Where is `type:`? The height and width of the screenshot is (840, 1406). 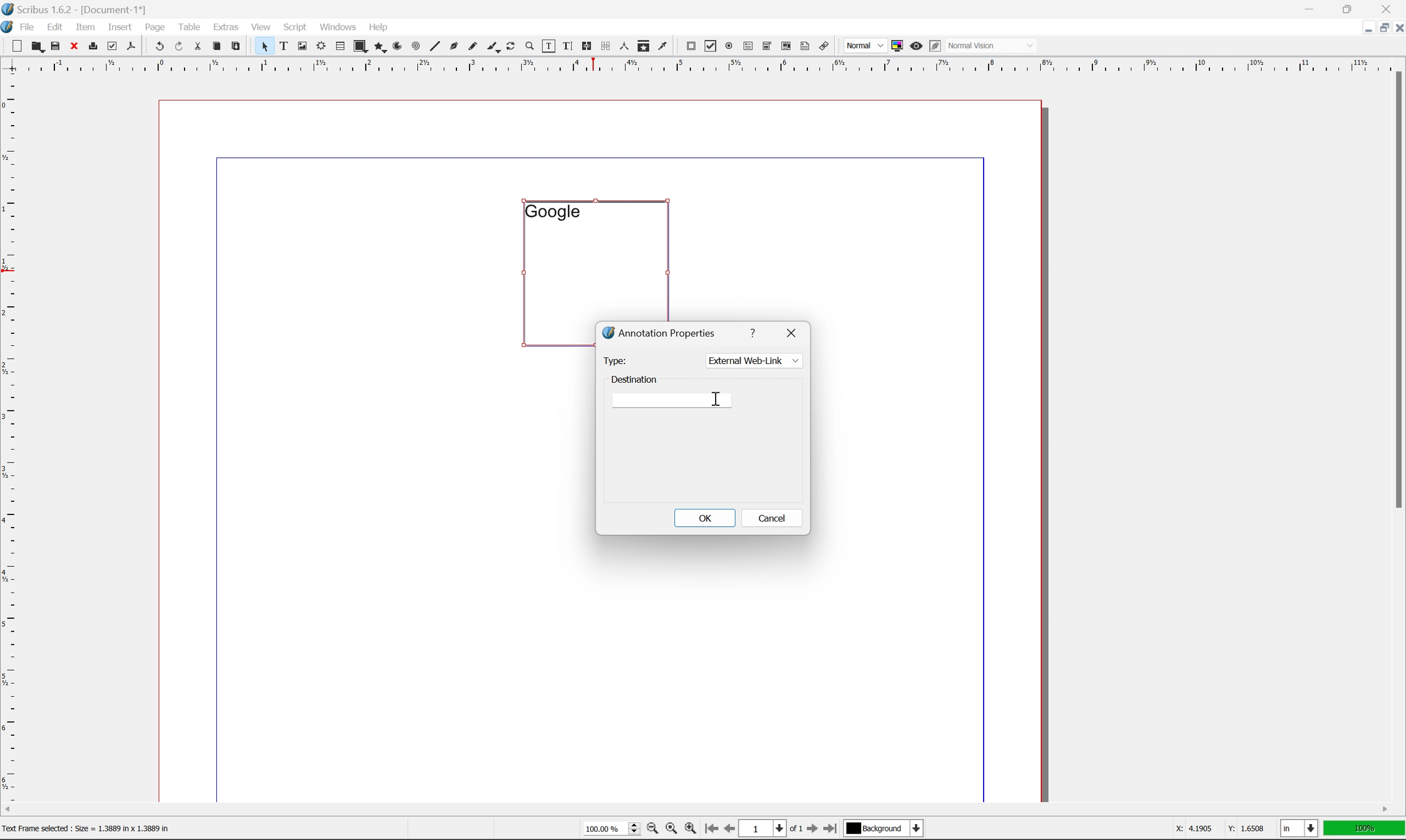
type: is located at coordinates (614, 360).